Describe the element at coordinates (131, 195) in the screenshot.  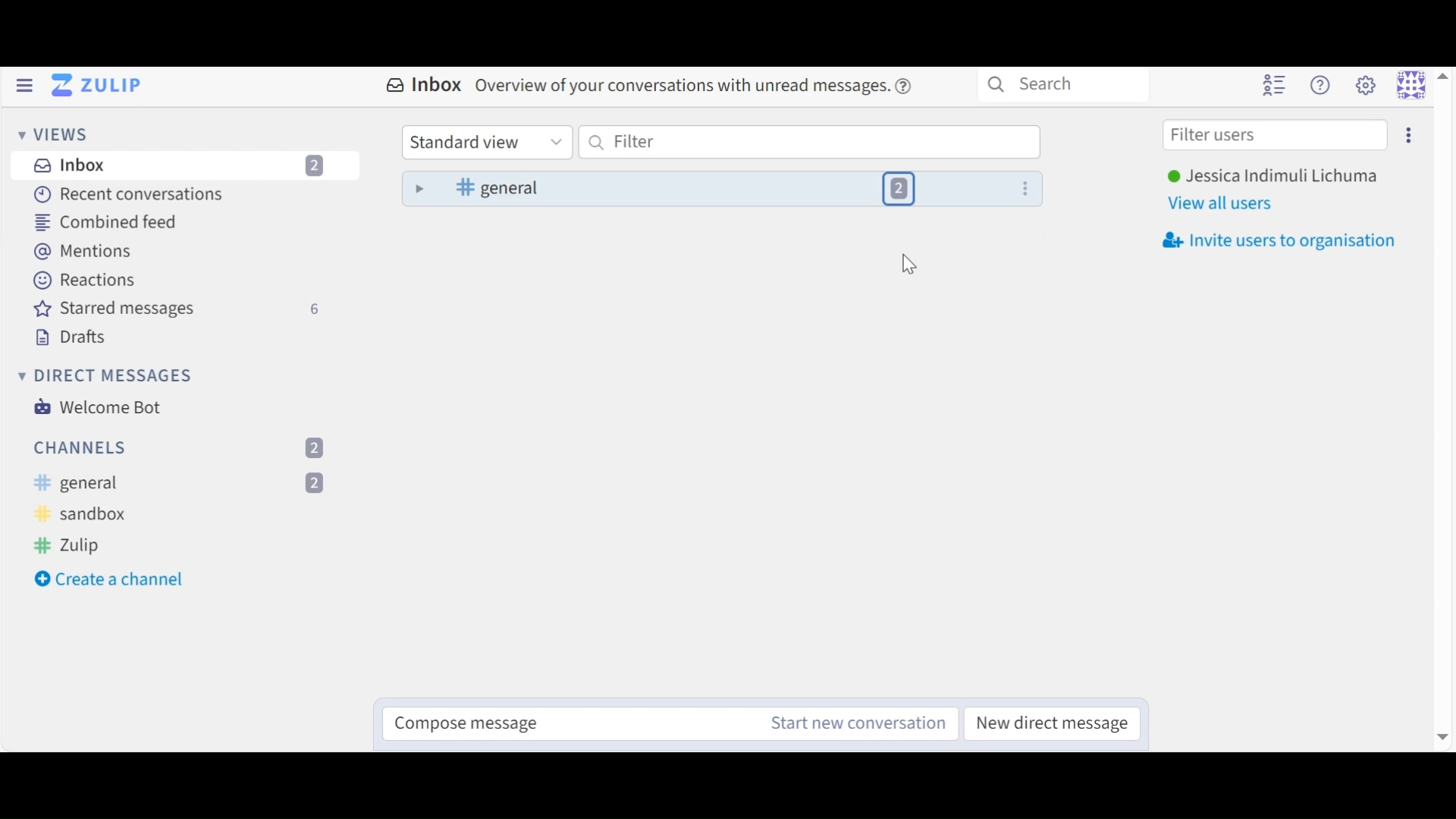
I see `Recent Conversations` at that location.